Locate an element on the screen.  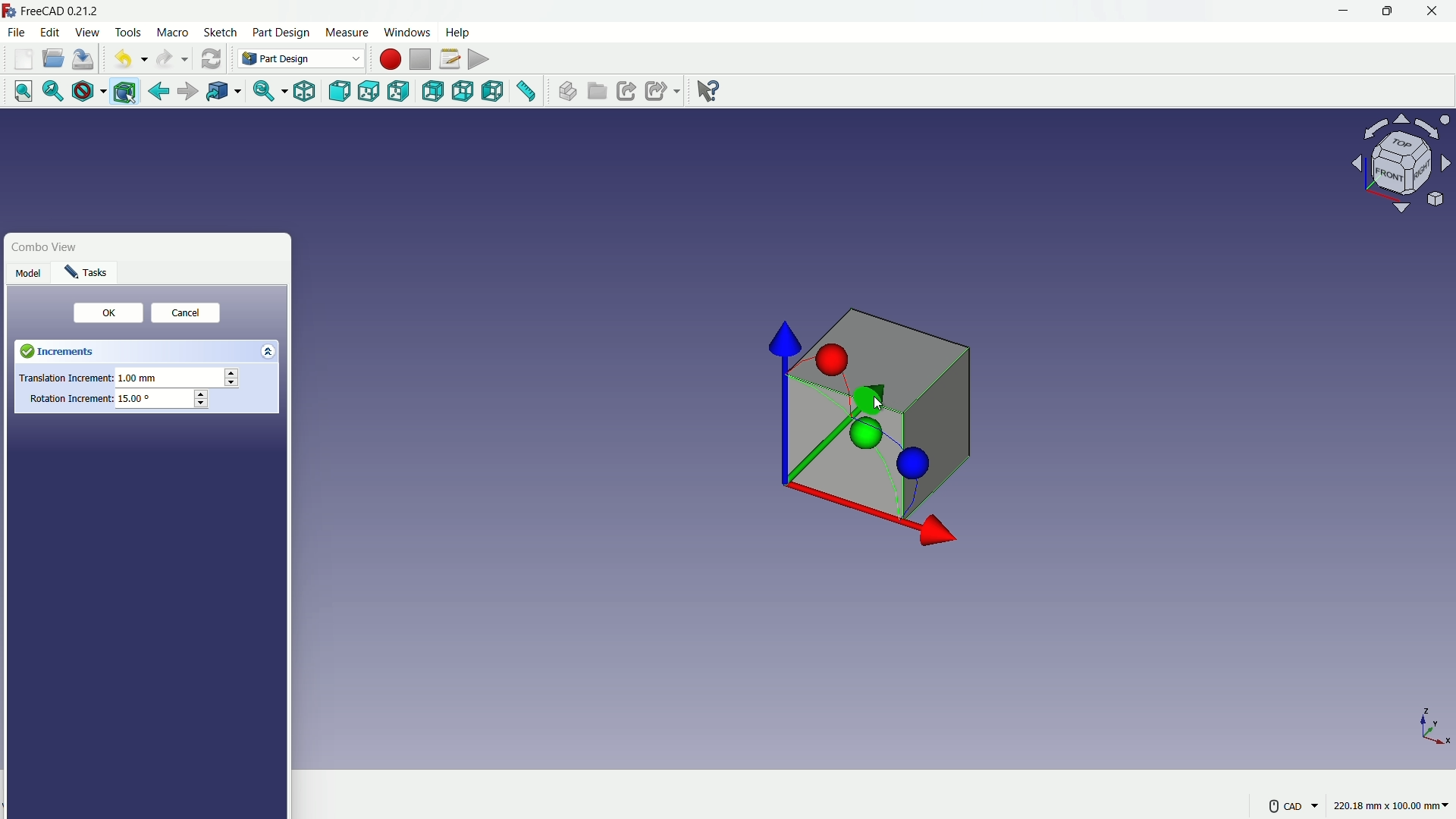
cancel is located at coordinates (184, 315).